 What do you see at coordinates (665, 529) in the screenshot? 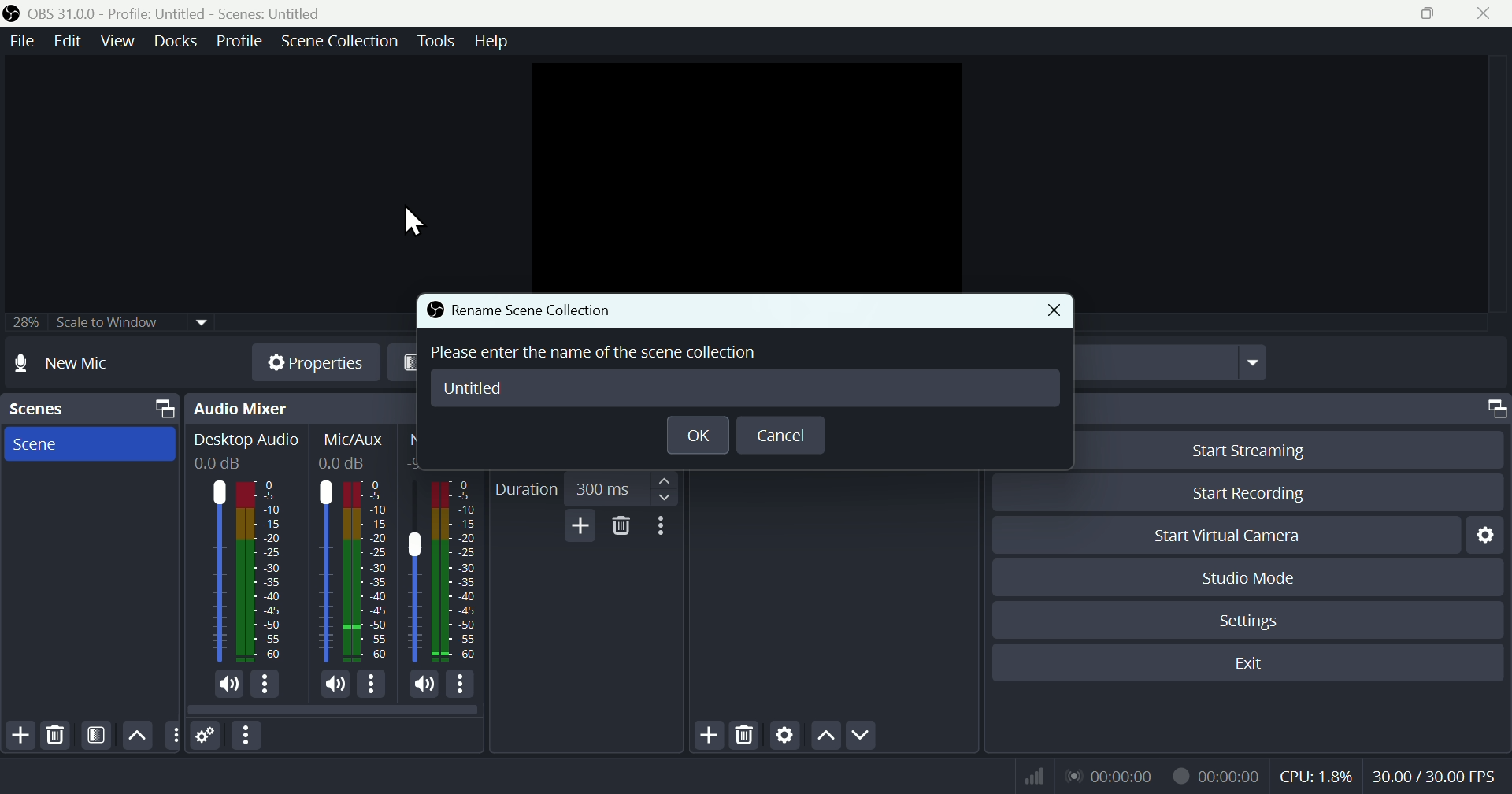
I see `More options` at bounding box center [665, 529].